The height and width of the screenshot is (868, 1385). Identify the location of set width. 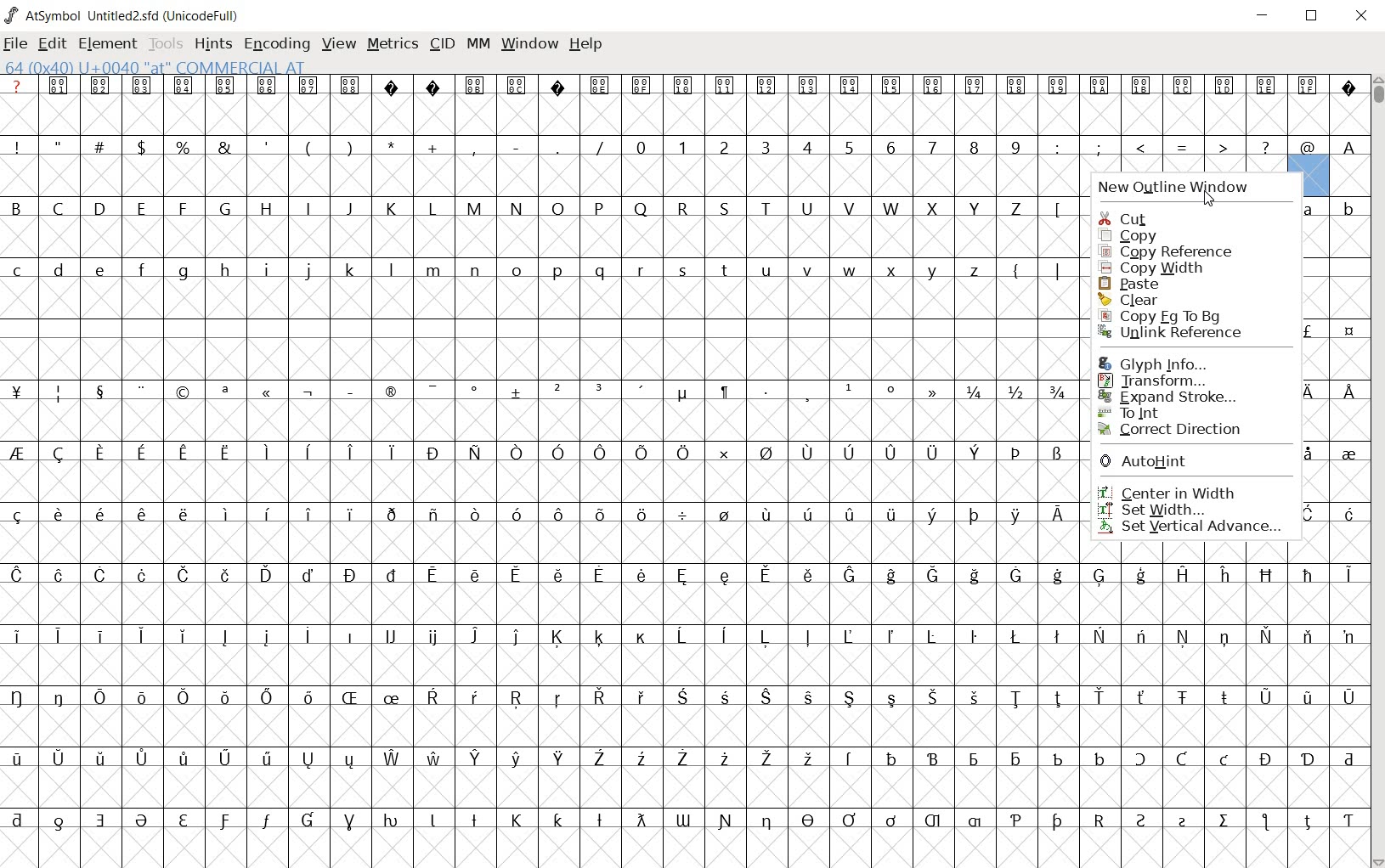
(1154, 510).